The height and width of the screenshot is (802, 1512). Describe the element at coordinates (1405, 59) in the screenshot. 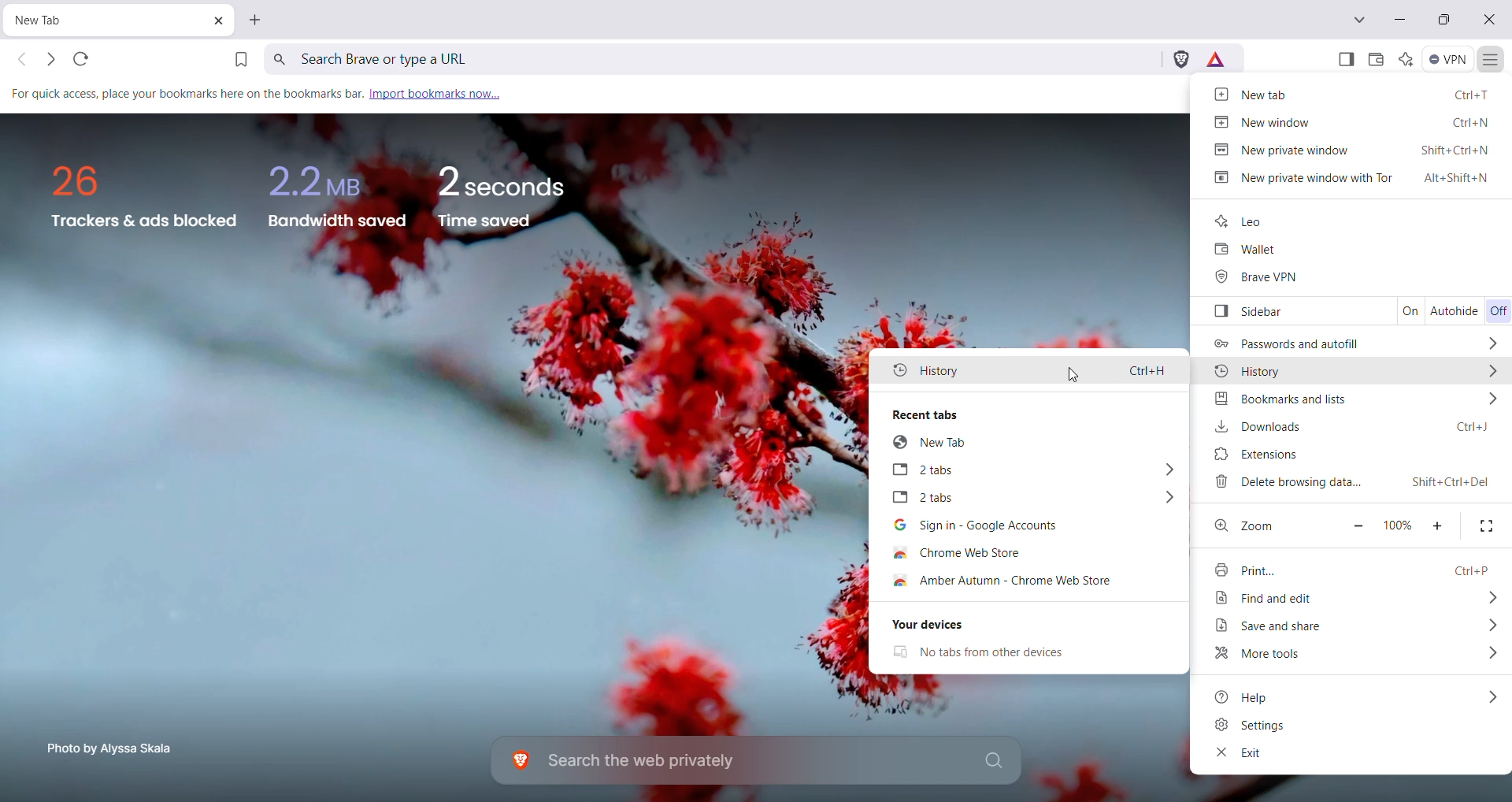

I see `Leo AI` at that location.